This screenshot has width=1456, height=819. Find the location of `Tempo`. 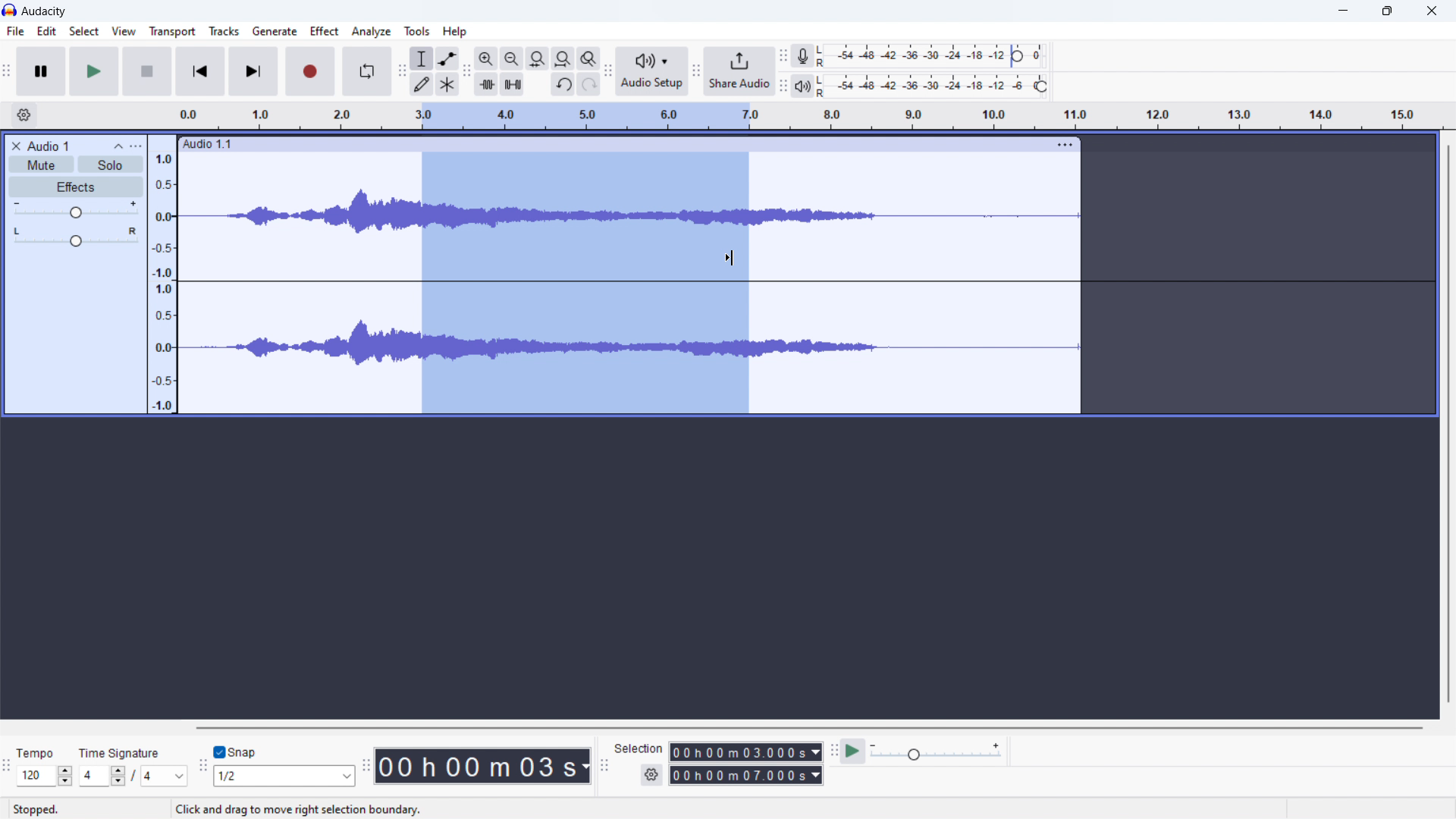

Tempo is located at coordinates (37, 754).